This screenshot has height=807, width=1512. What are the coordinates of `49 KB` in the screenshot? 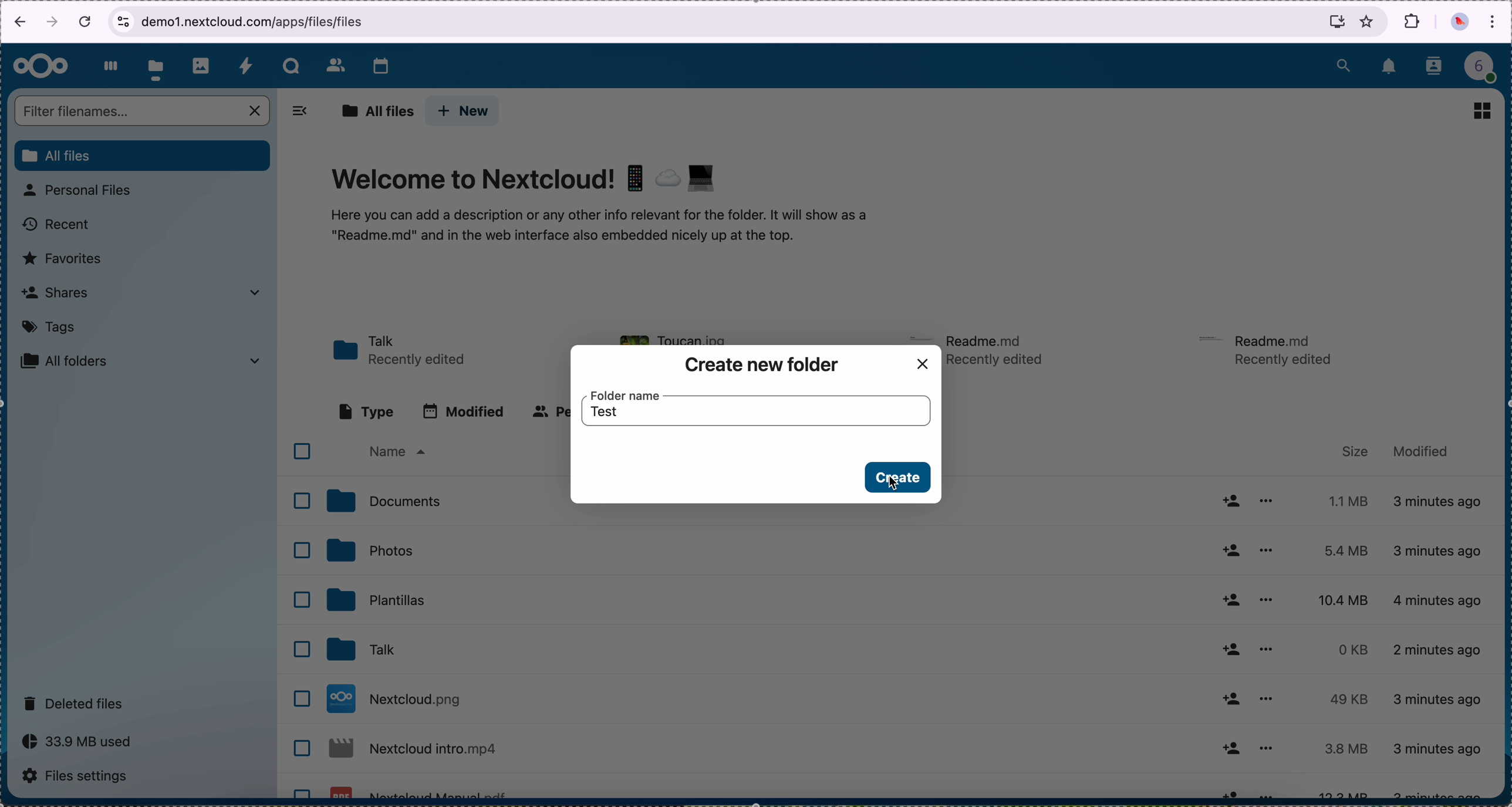 It's located at (1348, 699).